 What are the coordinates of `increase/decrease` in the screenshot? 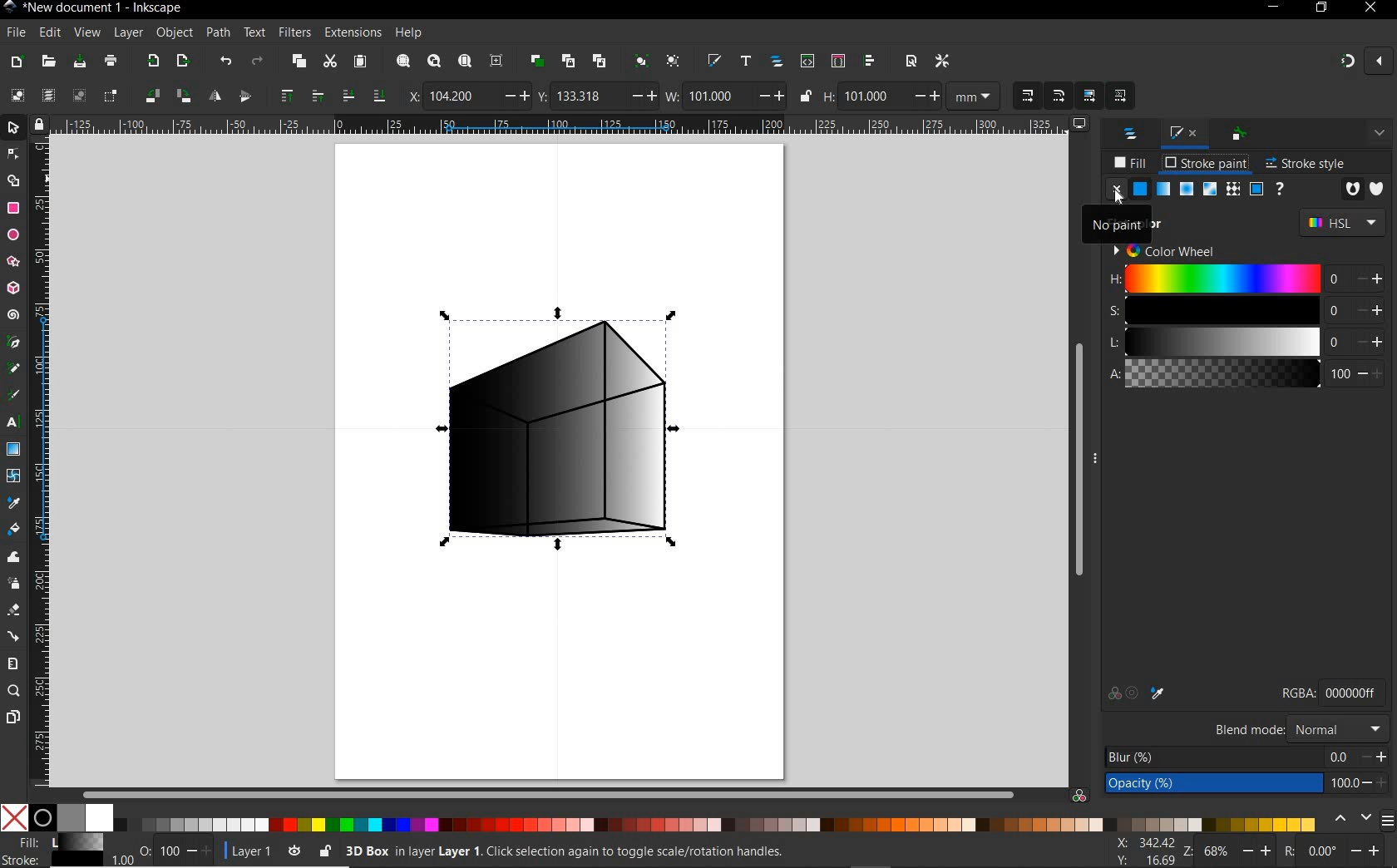 It's located at (1370, 851).